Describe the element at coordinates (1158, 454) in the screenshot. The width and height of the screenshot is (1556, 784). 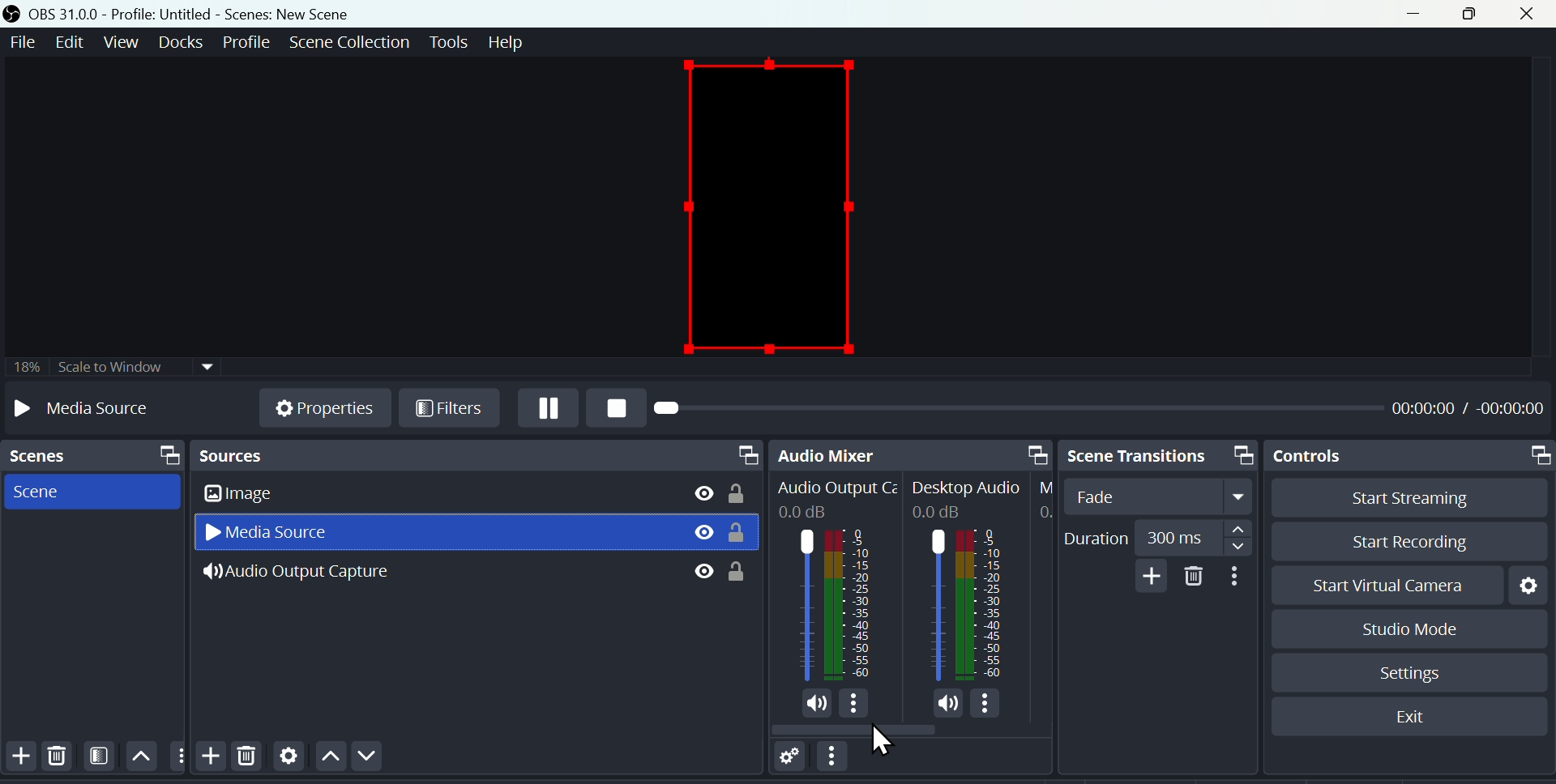
I see `Scene transitions` at that location.